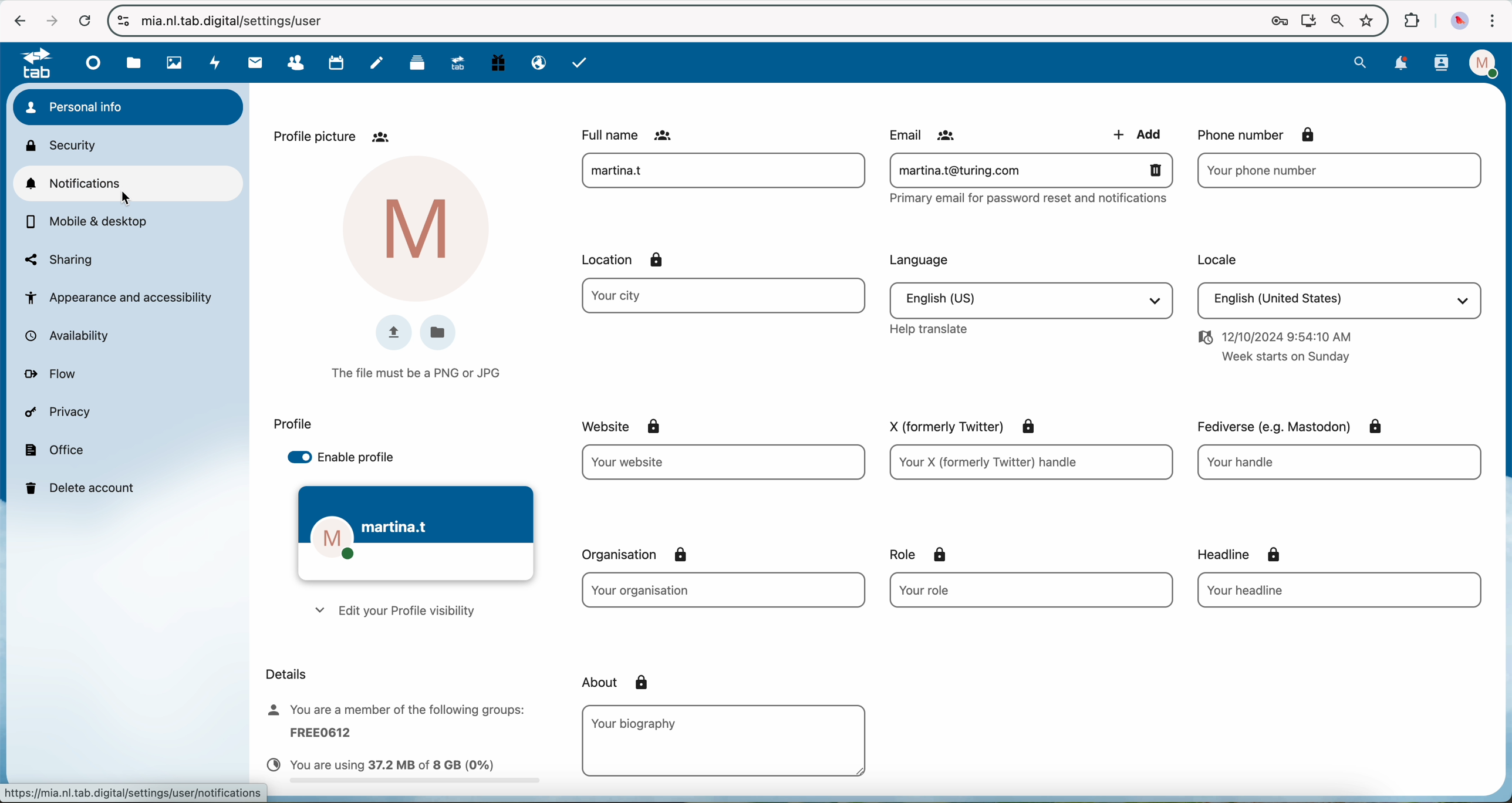 The height and width of the screenshot is (803, 1512). What do you see at coordinates (1412, 21) in the screenshot?
I see `extensions` at bounding box center [1412, 21].